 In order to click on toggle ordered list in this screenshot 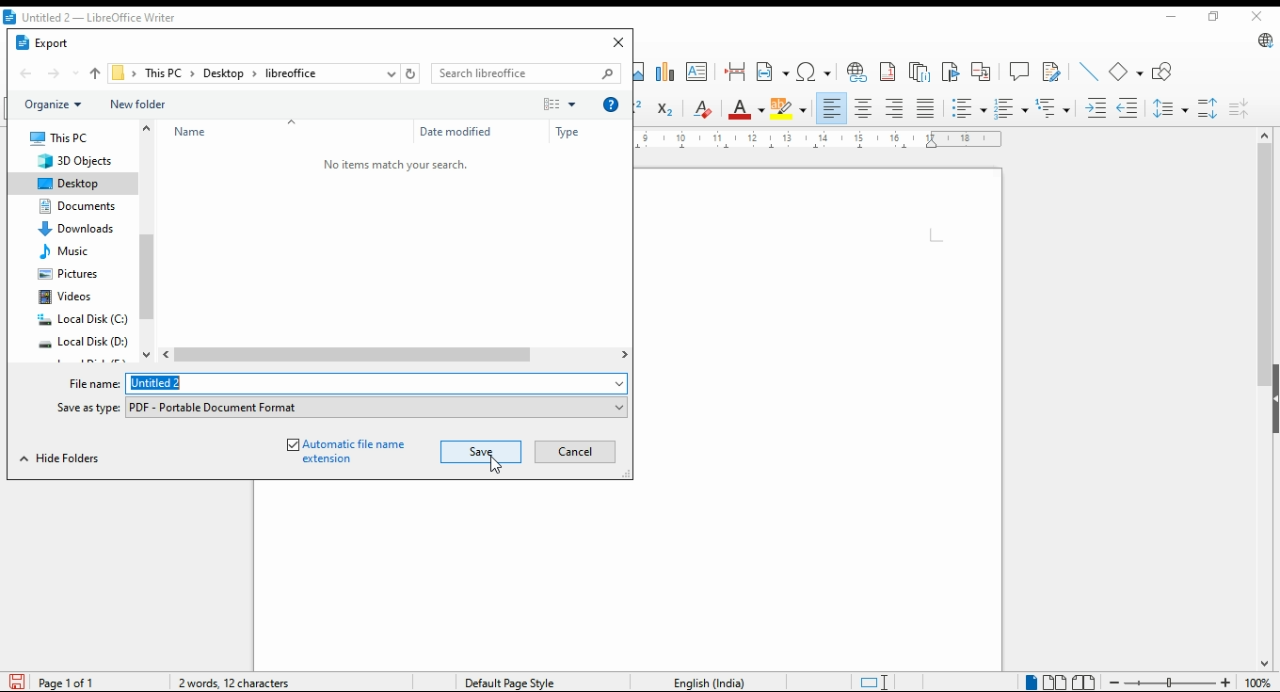, I will do `click(970, 109)`.